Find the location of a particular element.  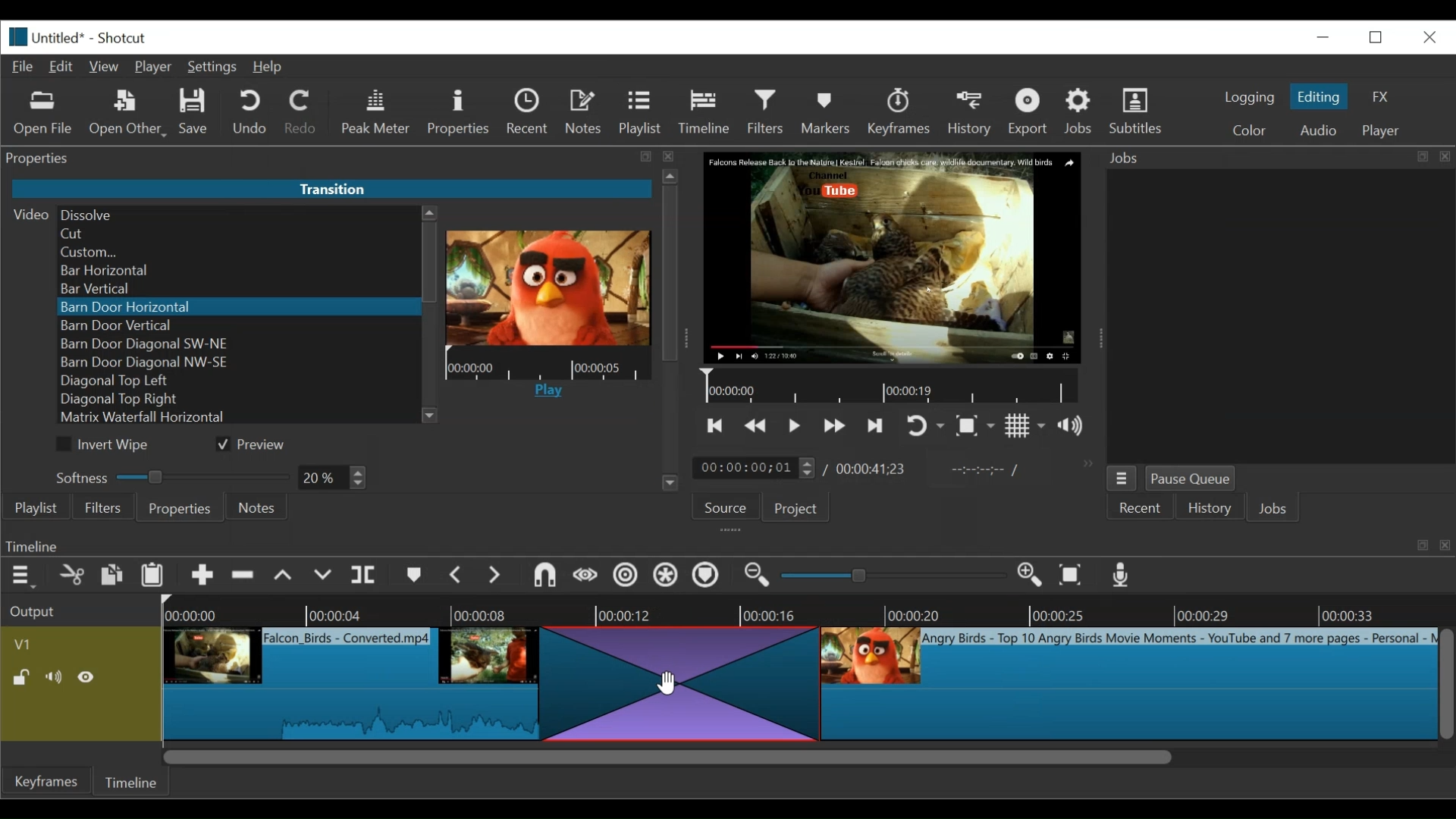

Recent is located at coordinates (530, 114).